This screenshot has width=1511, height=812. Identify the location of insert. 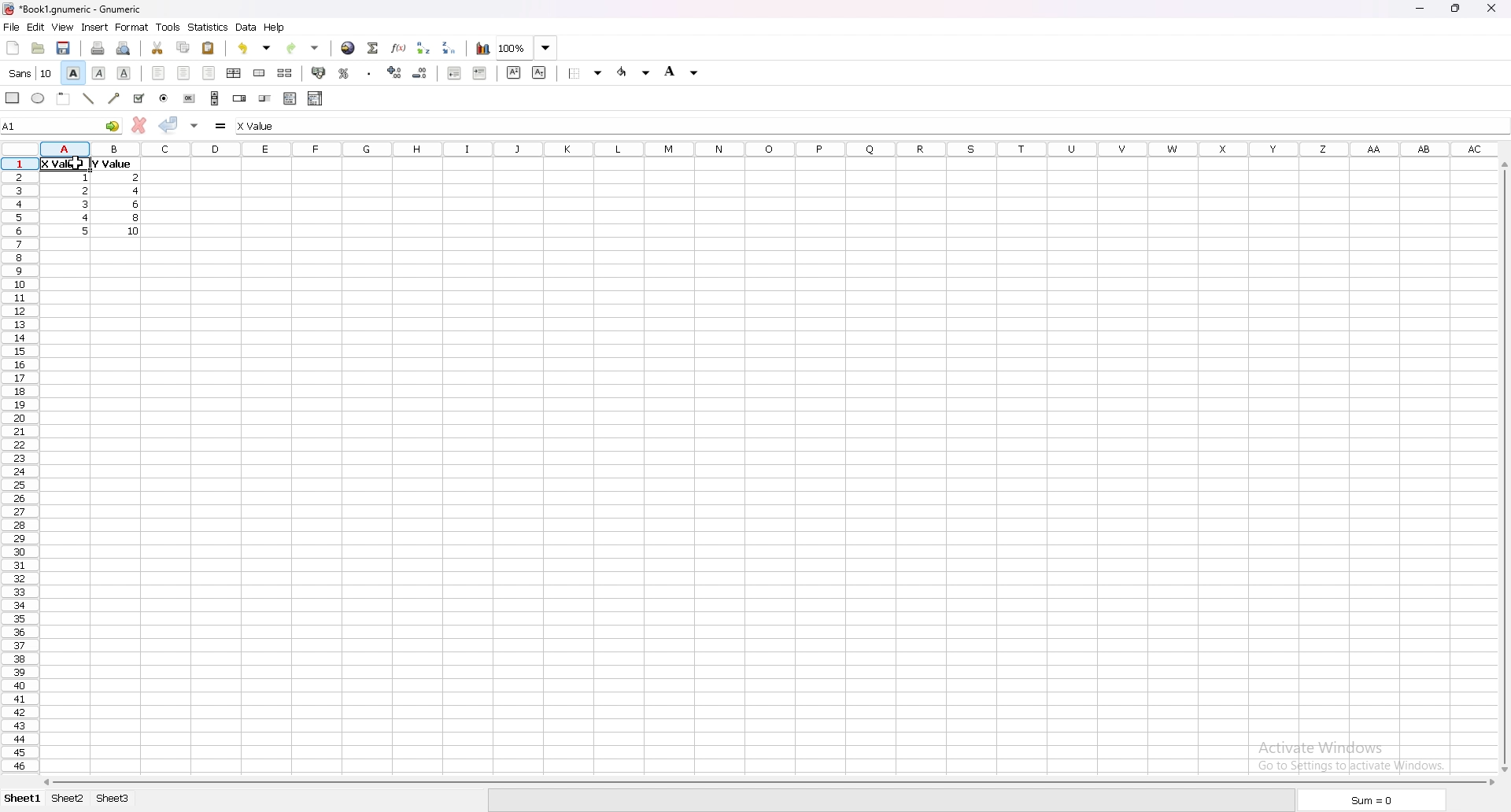
(95, 27).